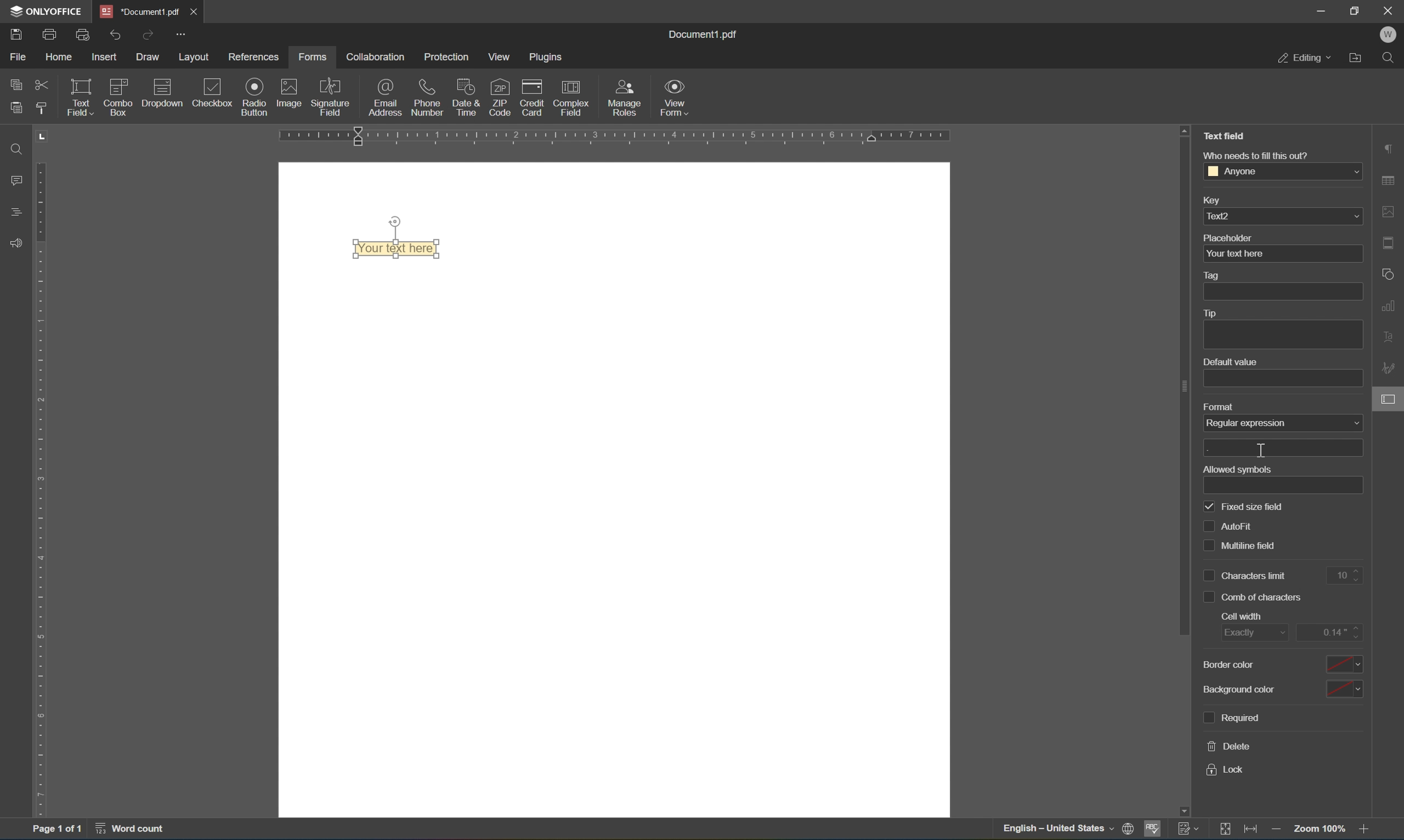  What do you see at coordinates (448, 57) in the screenshot?
I see `protection` at bounding box center [448, 57].